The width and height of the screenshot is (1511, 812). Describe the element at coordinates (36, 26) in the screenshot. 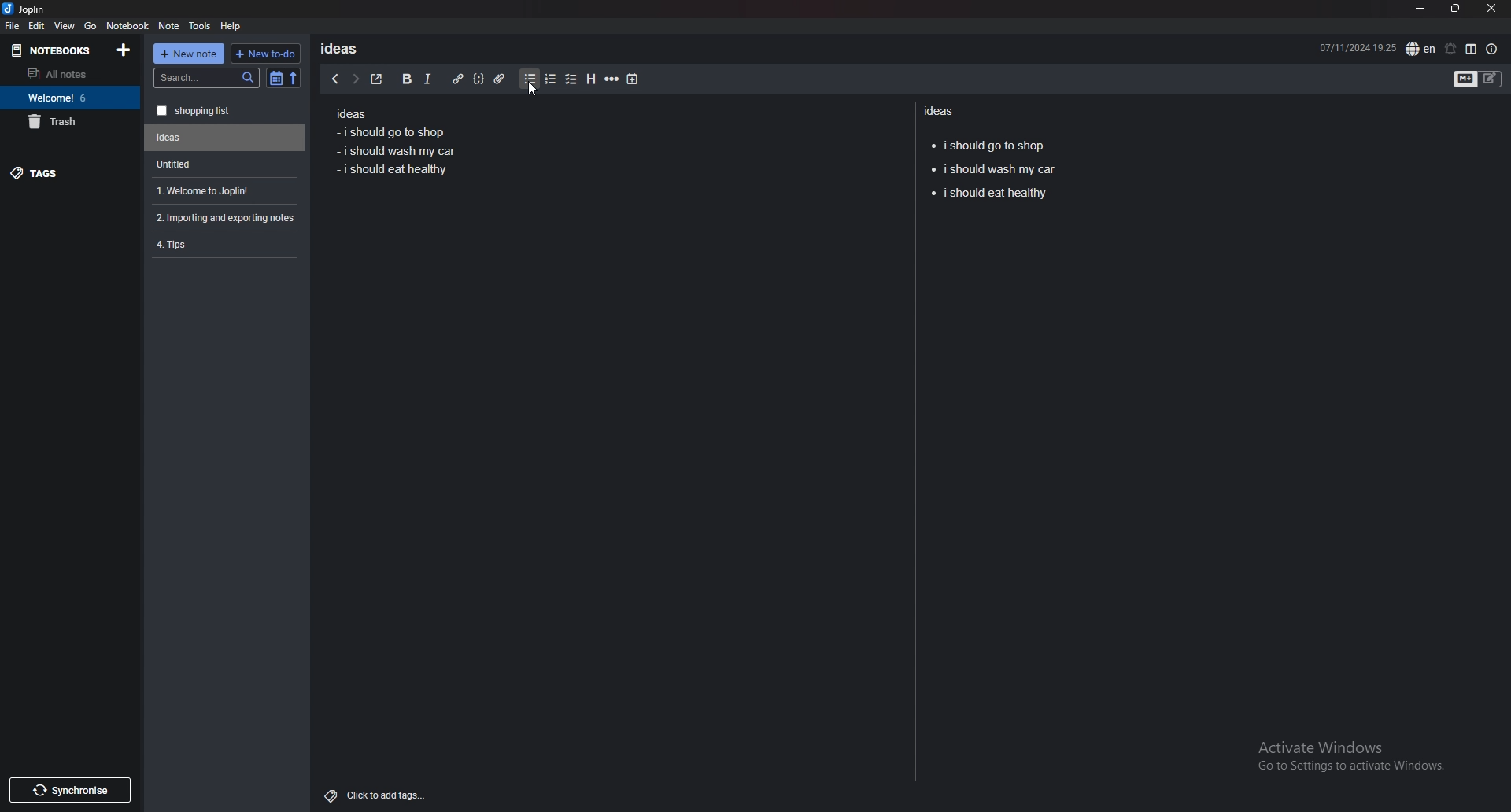

I see `edit` at that location.